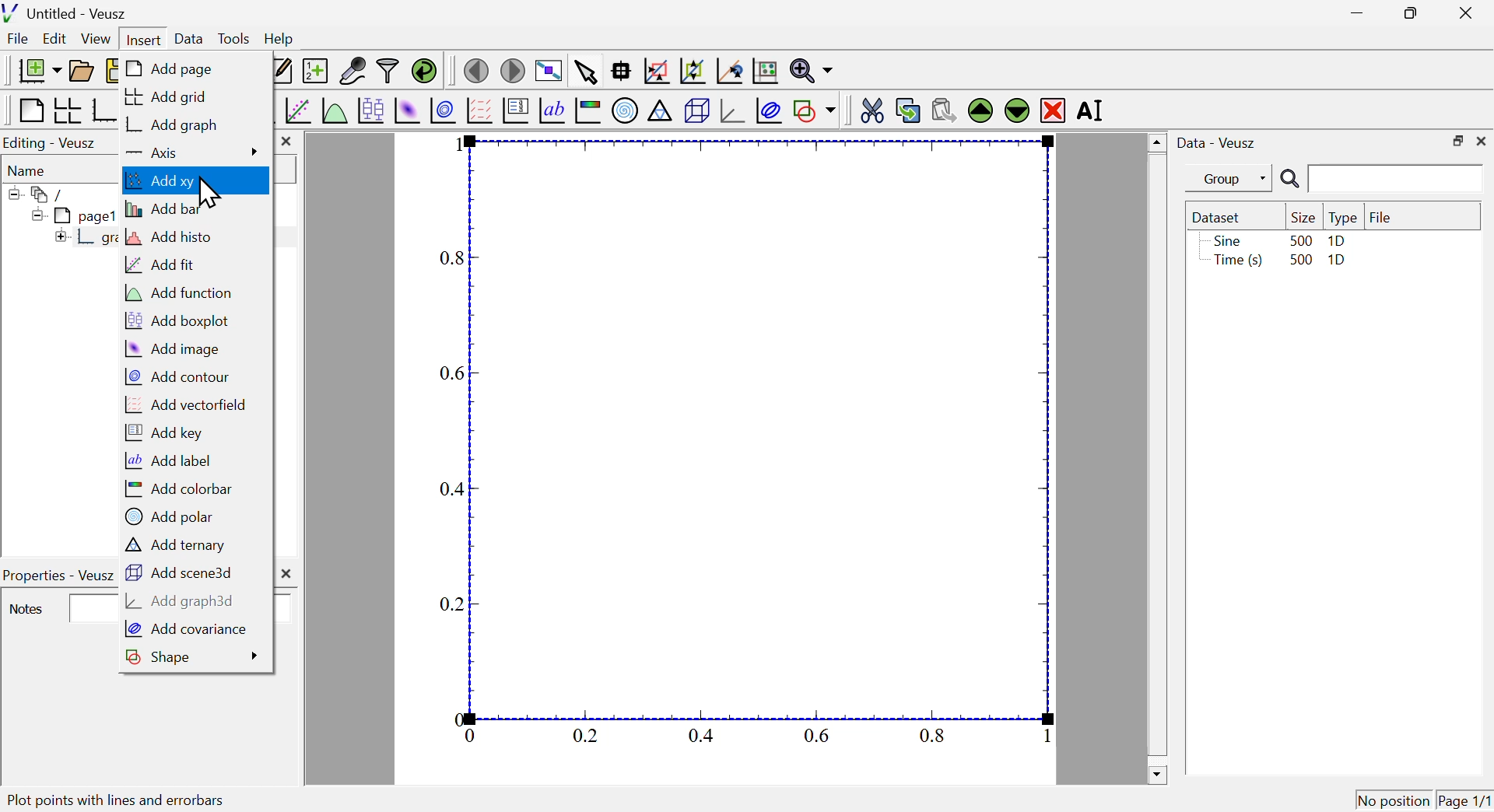 This screenshot has height=812, width=1494. What do you see at coordinates (451, 373) in the screenshot?
I see `0.6` at bounding box center [451, 373].